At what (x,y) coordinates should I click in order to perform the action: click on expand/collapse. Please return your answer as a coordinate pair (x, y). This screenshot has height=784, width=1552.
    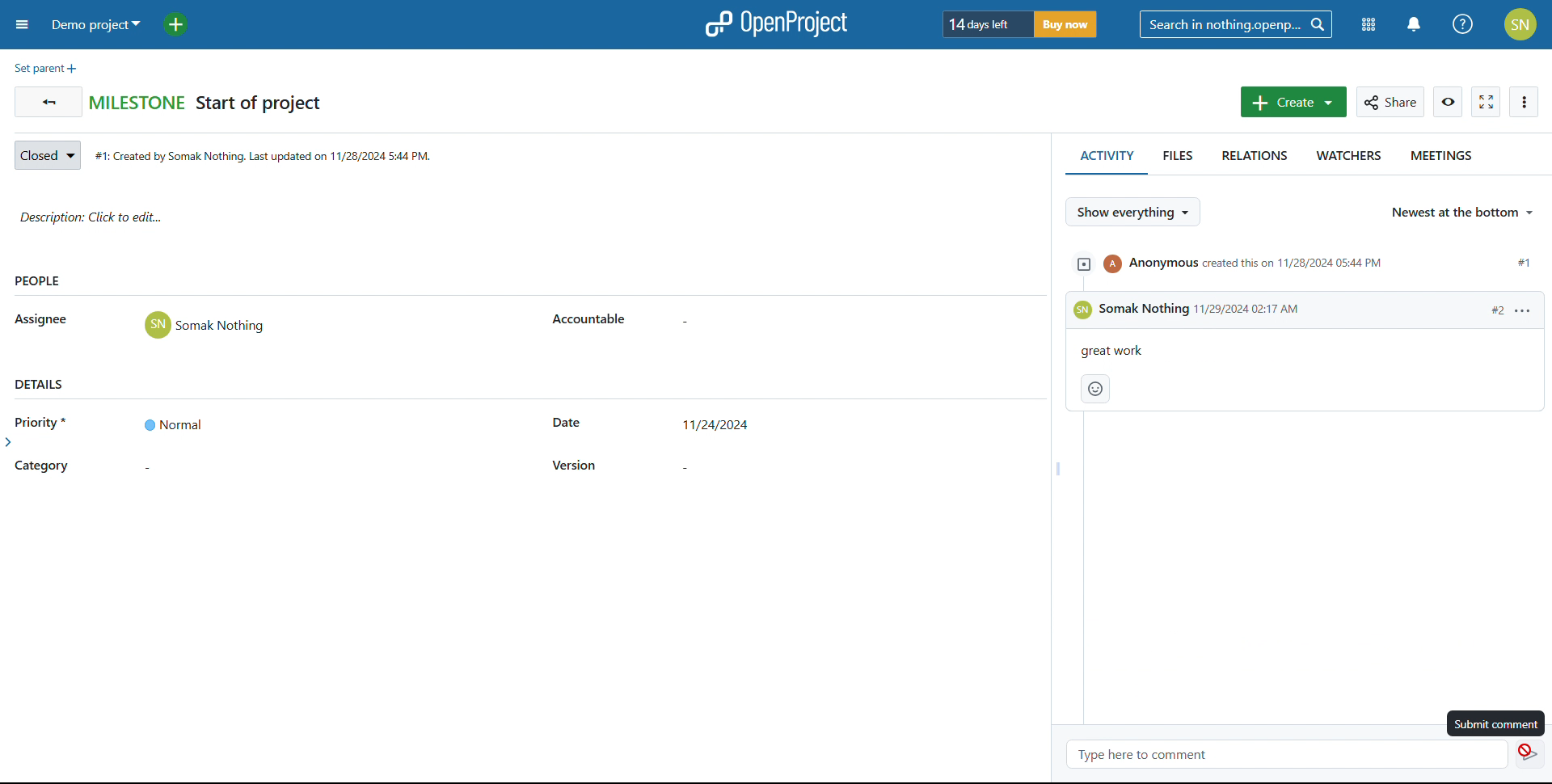
    Looking at the image, I should click on (1081, 263).